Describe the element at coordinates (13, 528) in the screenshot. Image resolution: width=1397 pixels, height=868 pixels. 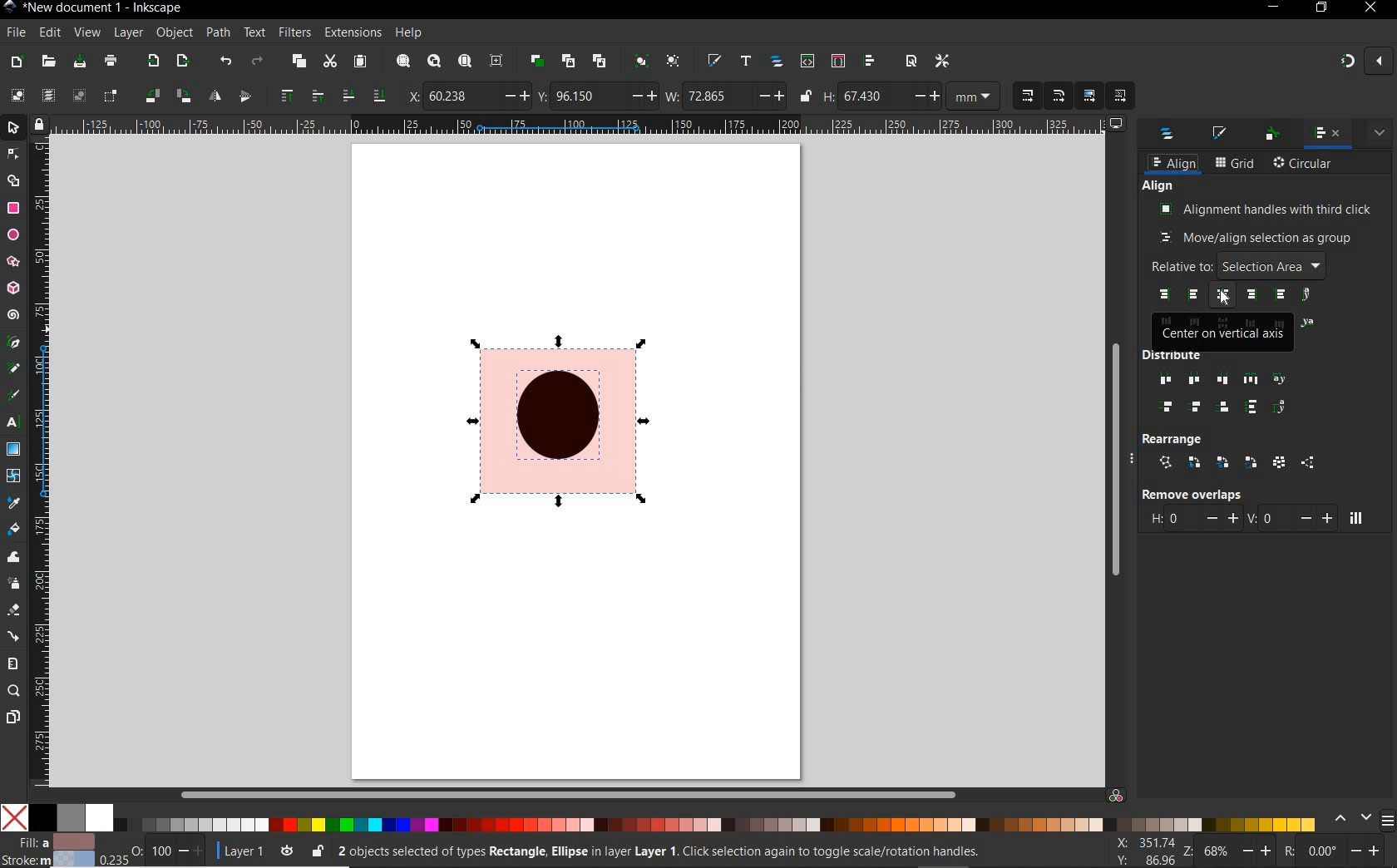
I see `paint bucket tool` at that location.